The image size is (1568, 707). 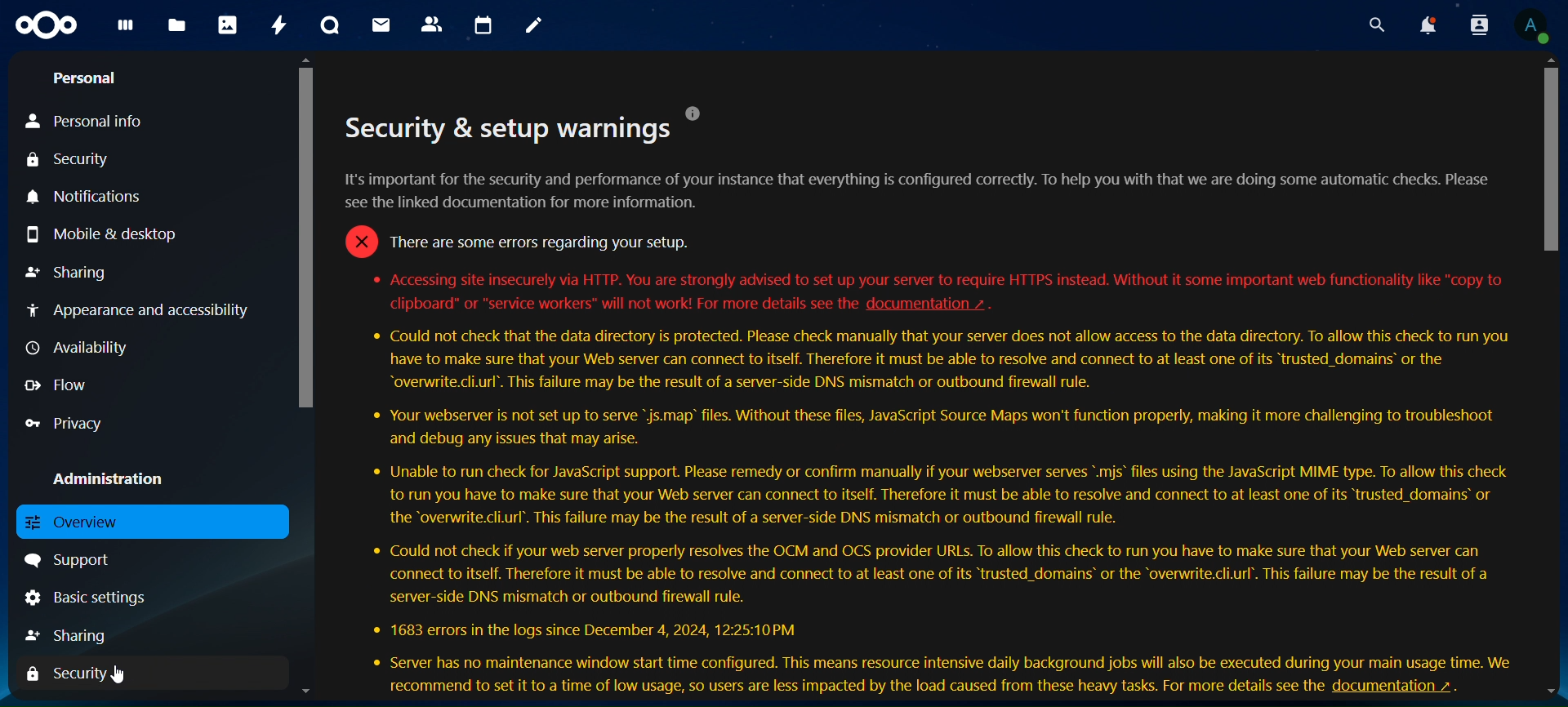 What do you see at coordinates (327, 26) in the screenshot?
I see `talk` at bounding box center [327, 26].